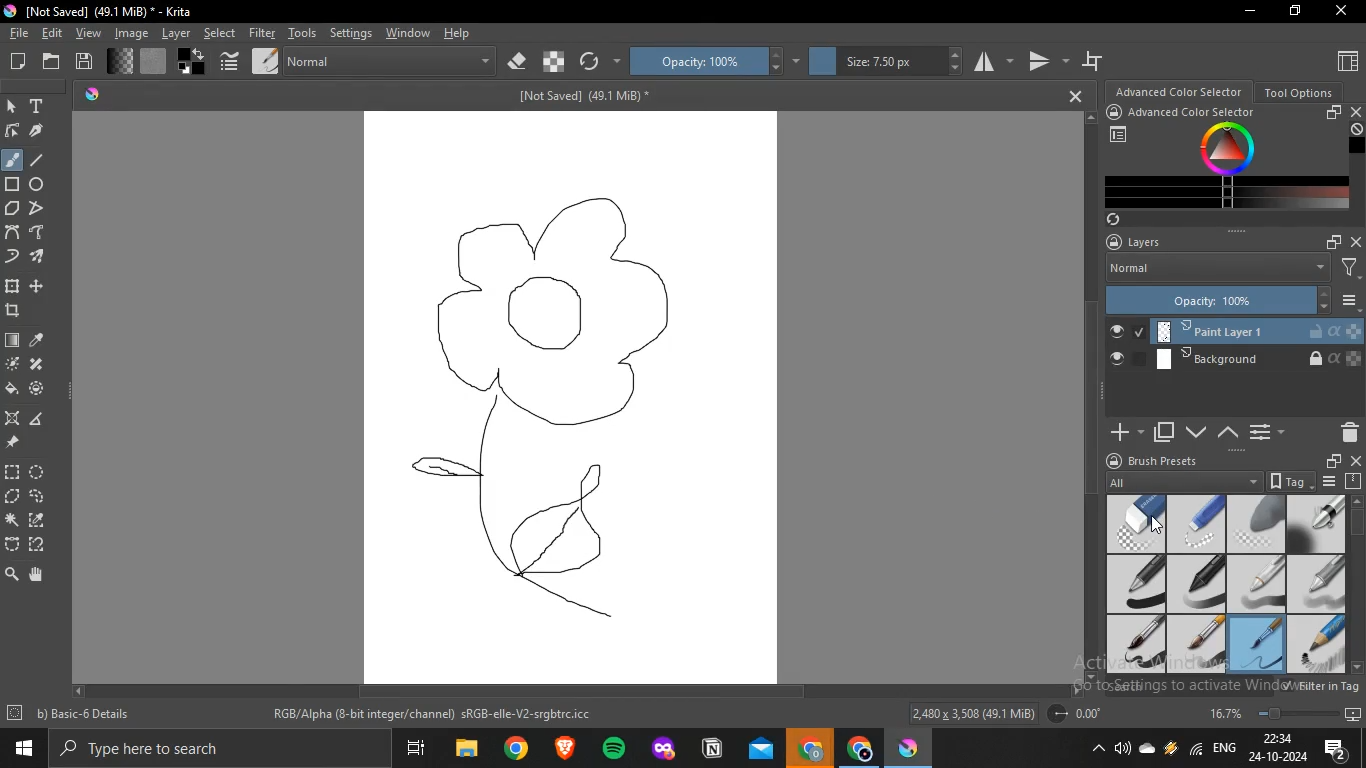  I want to click on b) Basic-6 Details, so click(84, 713).